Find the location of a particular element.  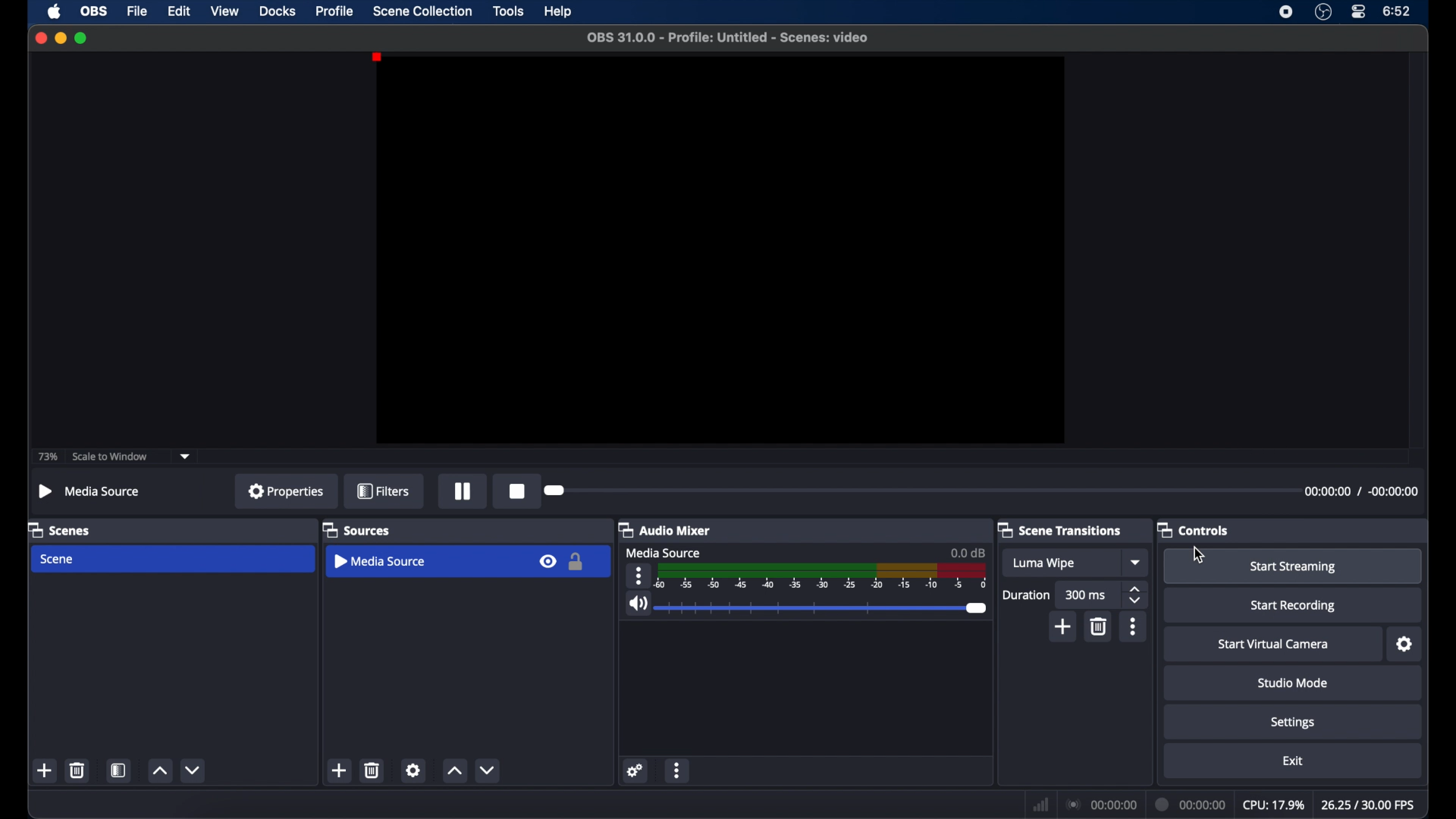

scene filters is located at coordinates (120, 770).